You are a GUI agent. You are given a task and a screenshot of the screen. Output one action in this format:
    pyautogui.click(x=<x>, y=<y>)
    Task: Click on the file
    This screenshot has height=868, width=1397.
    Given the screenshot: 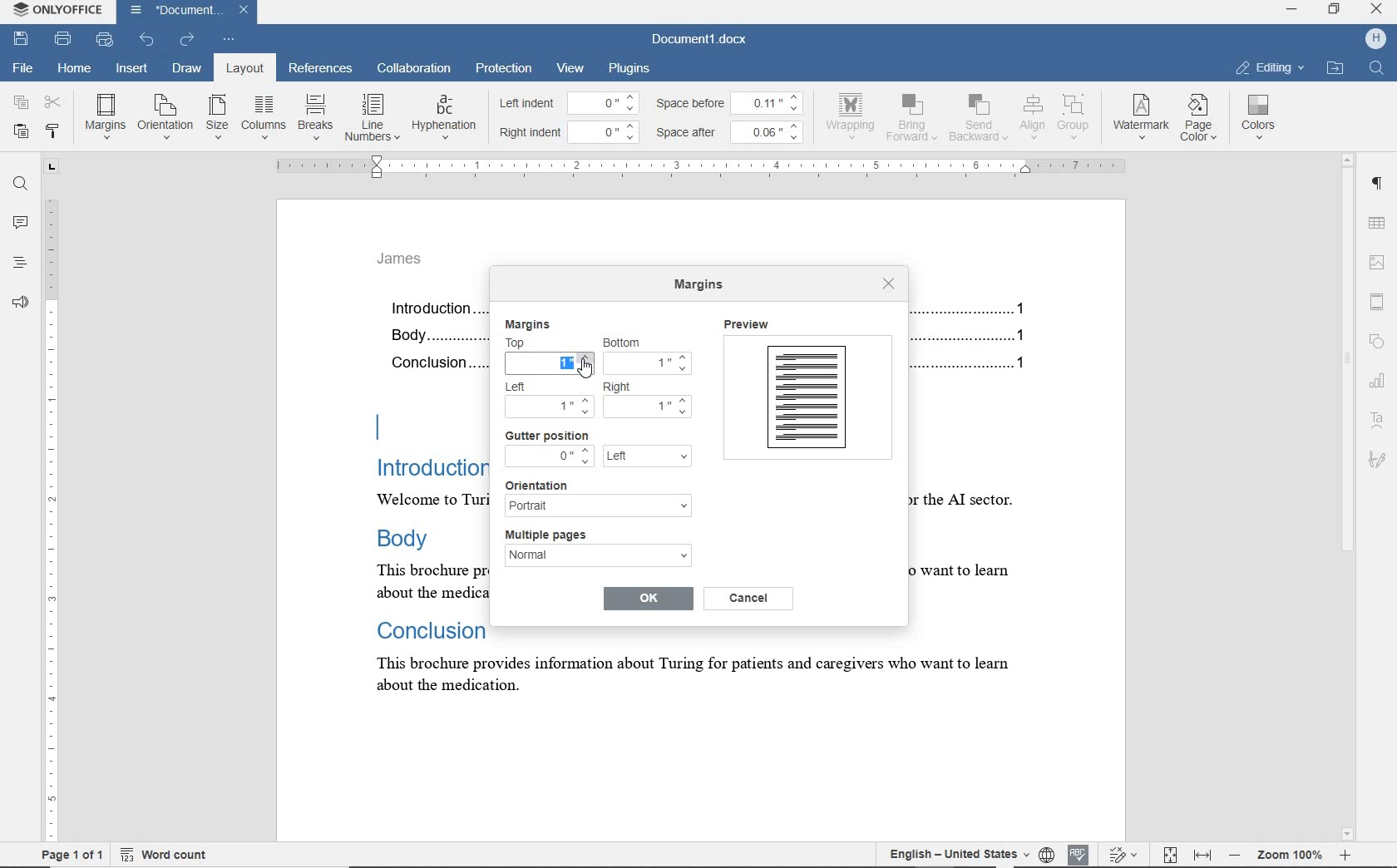 What is the action you would take?
    pyautogui.click(x=24, y=66)
    